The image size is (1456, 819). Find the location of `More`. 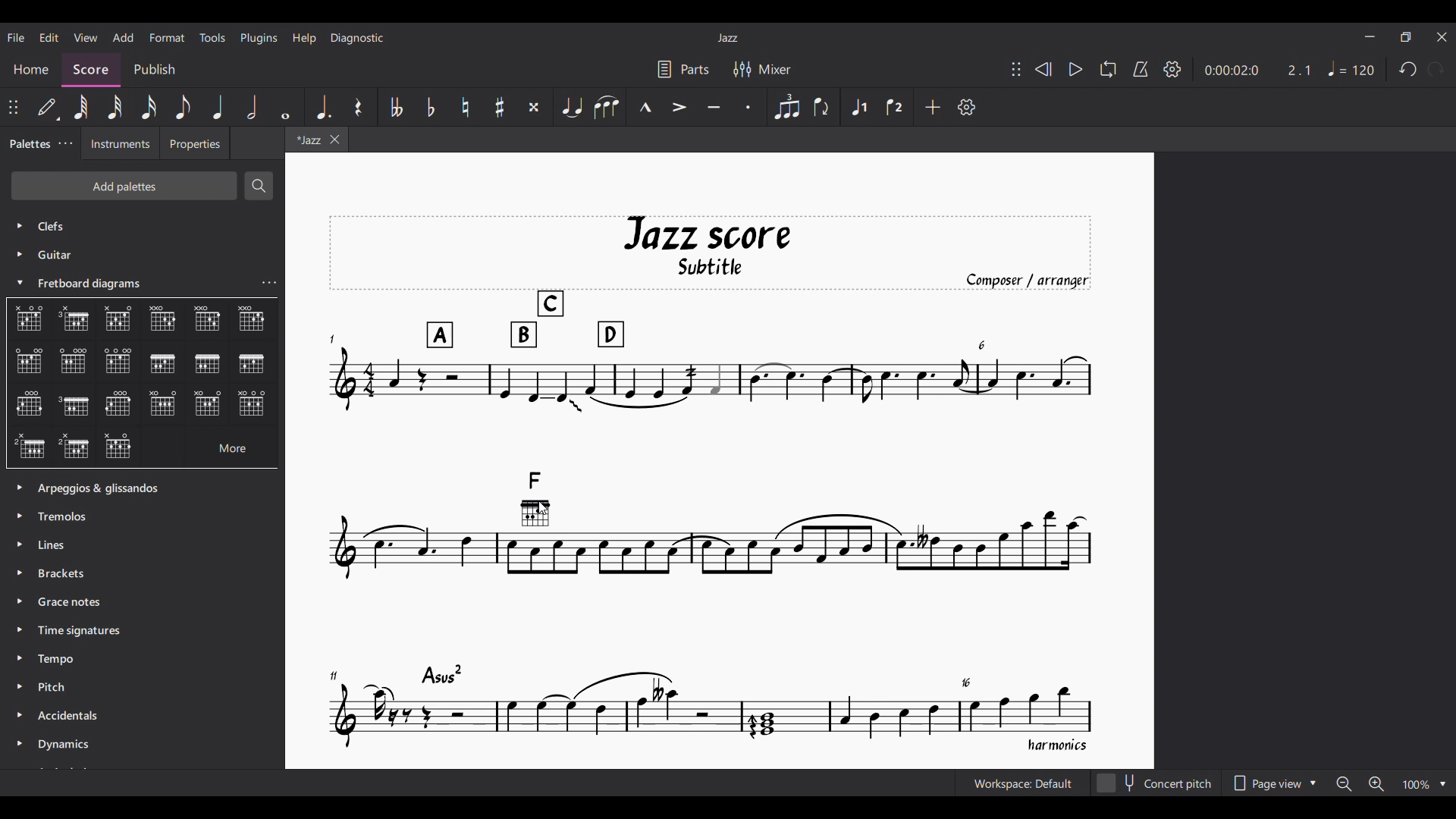

More is located at coordinates (219, 447).